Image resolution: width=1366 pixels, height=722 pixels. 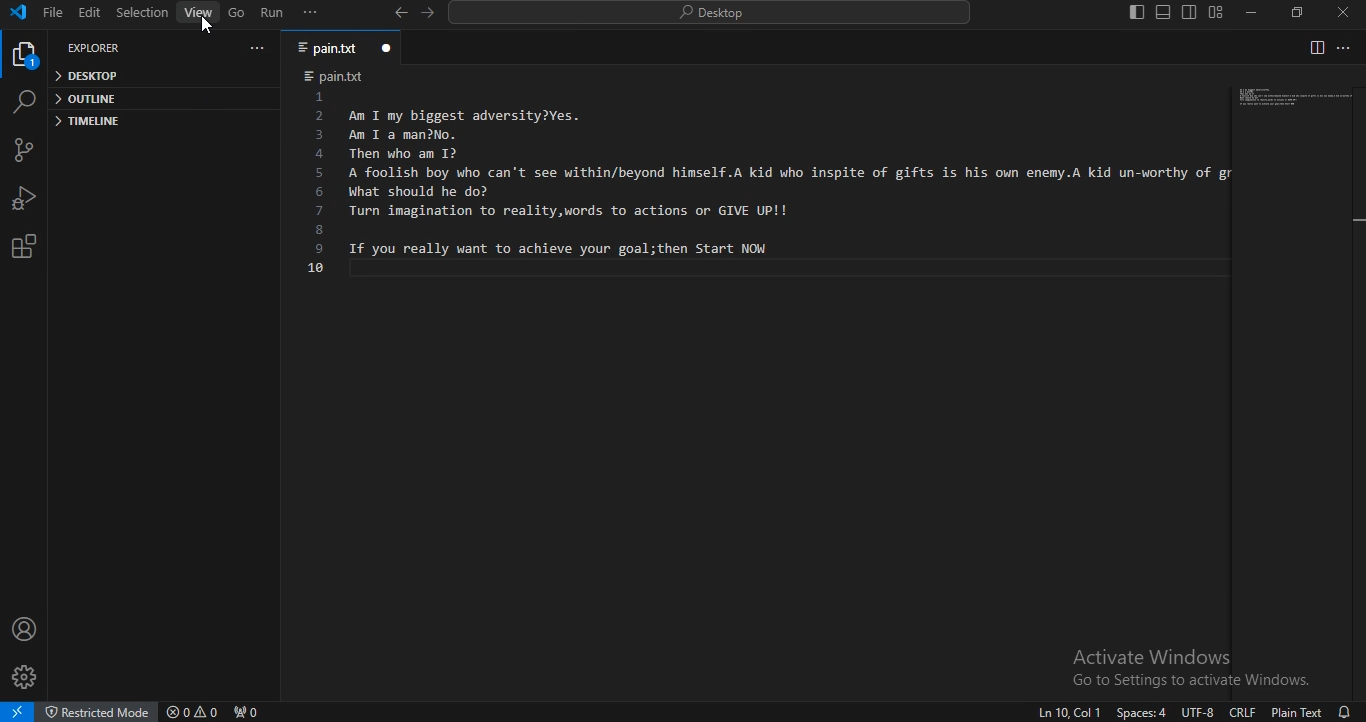 I want to click on account, so click(x=25, y=627).